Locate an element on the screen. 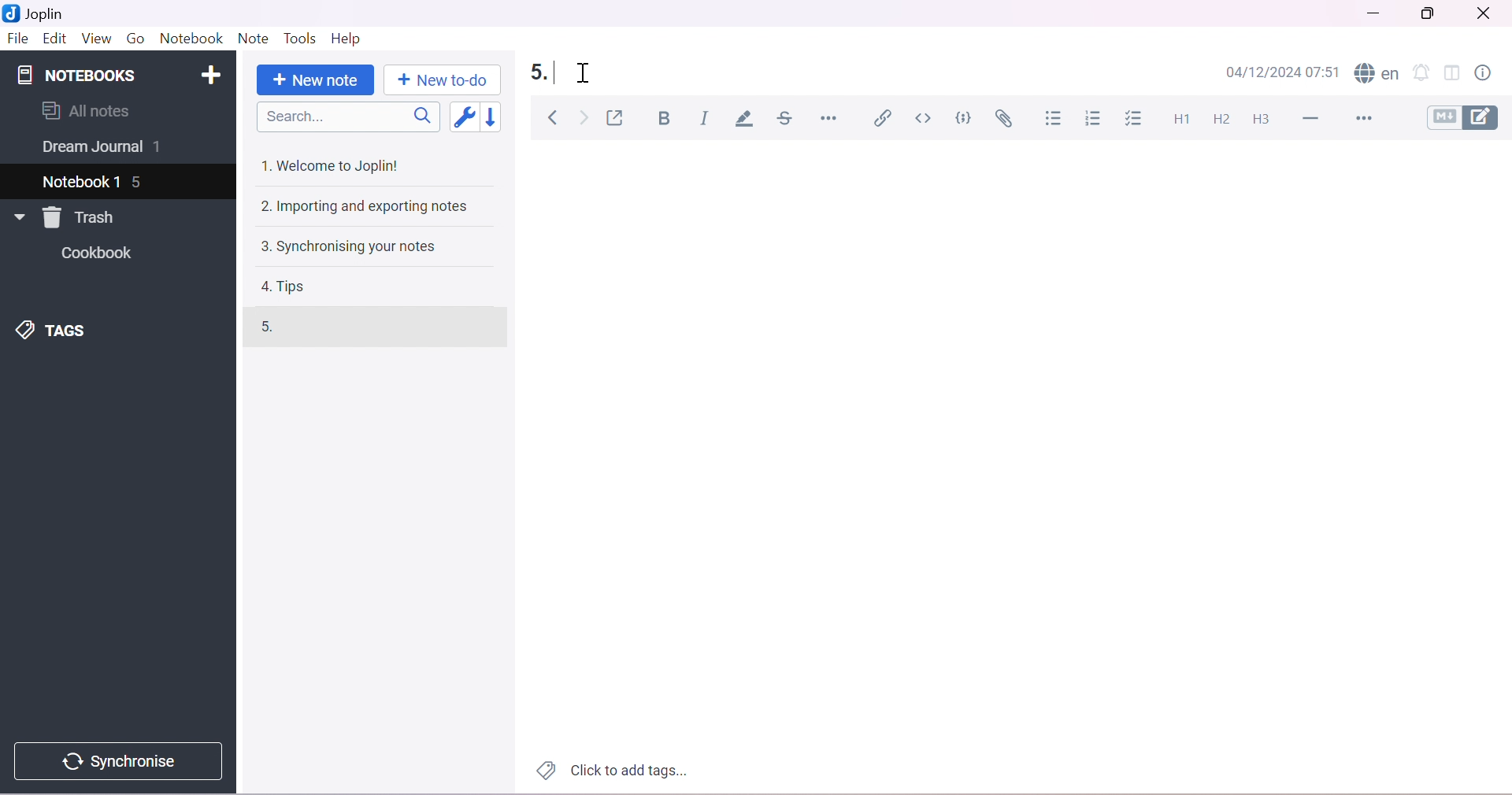  Bulleted list is located at coordinates (1055, 119).